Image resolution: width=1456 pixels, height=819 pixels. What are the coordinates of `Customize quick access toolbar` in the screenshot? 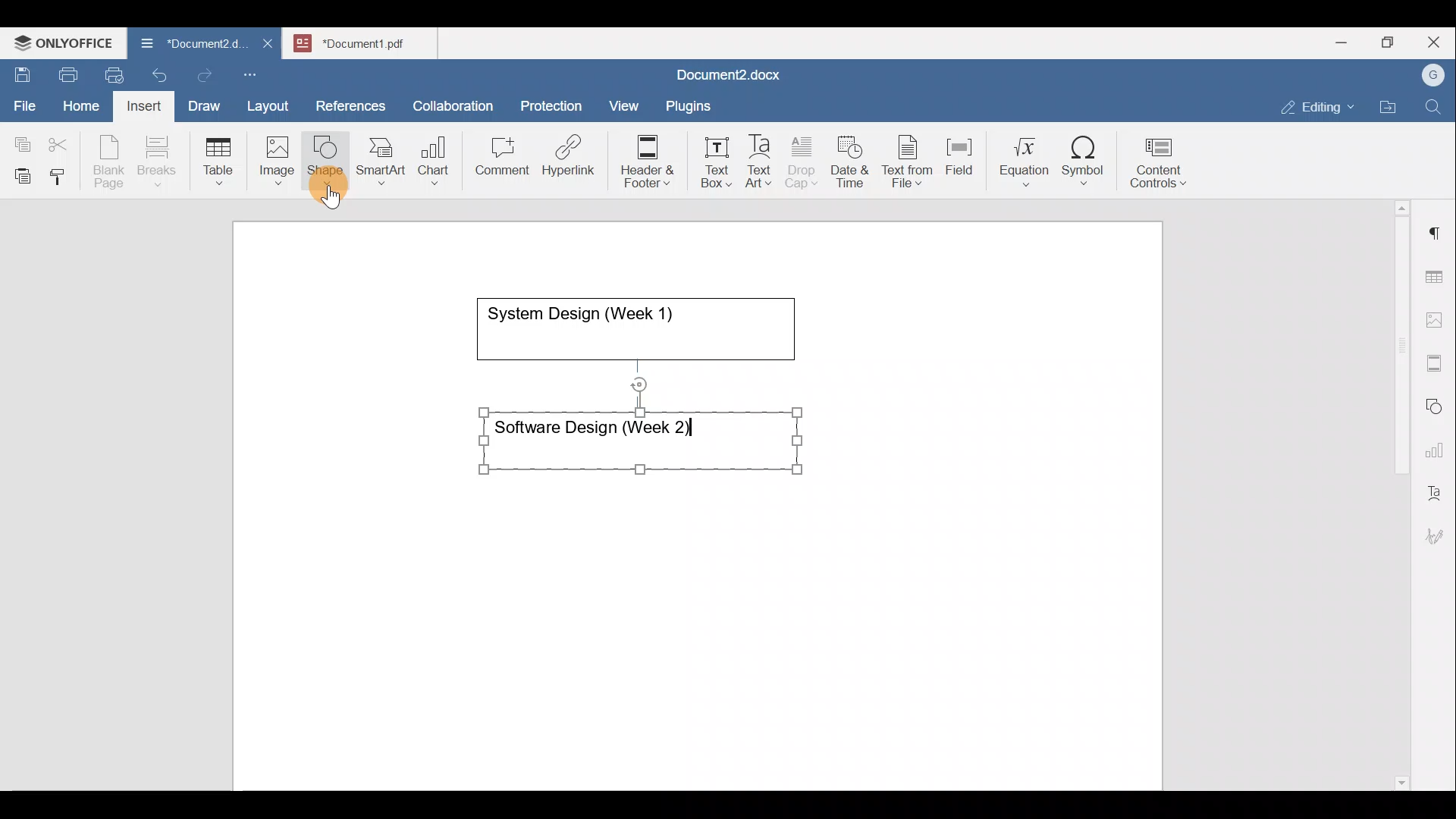 It's located at (256, 72).